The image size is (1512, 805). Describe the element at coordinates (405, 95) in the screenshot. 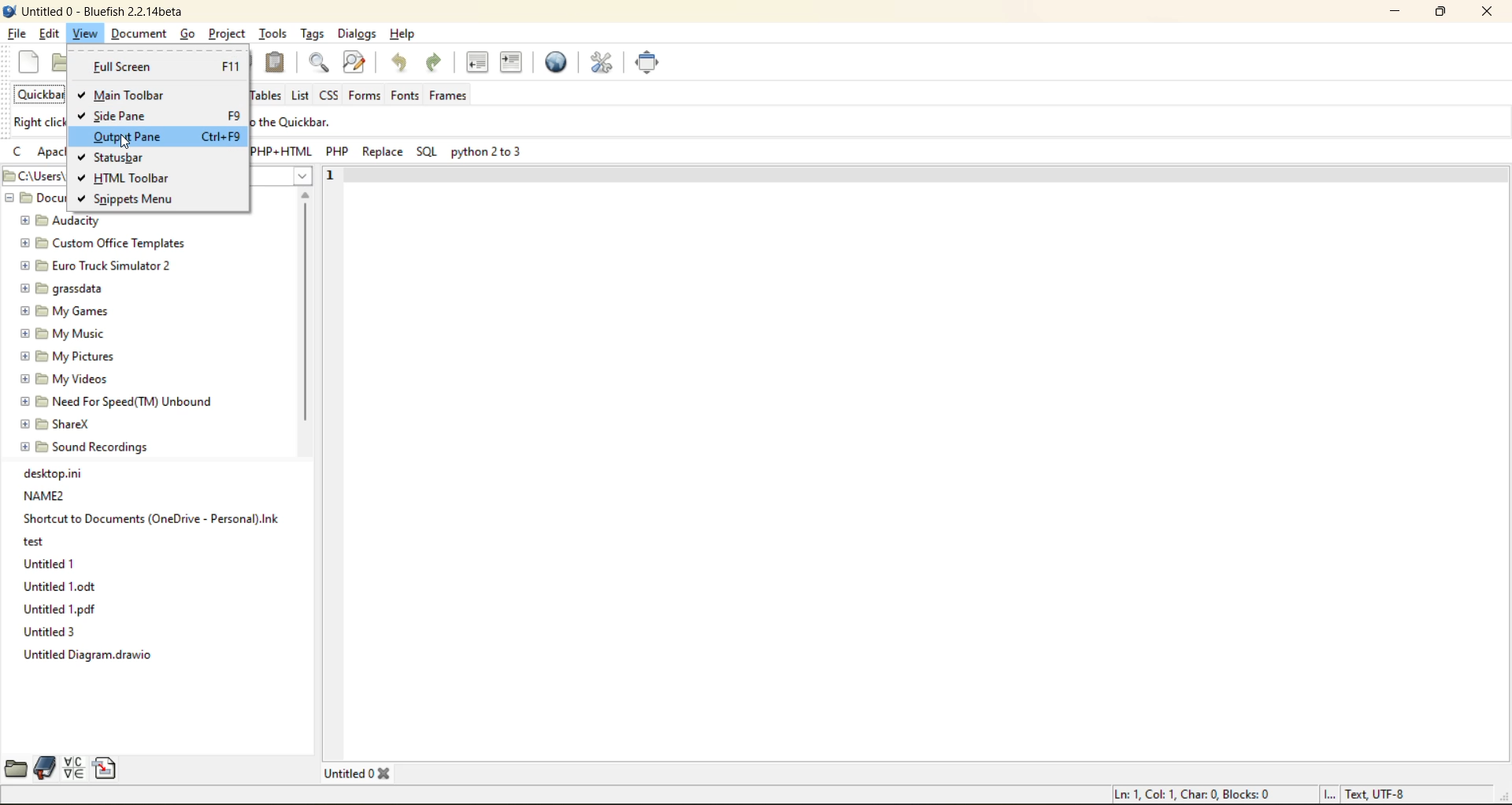

I see `fonts` at that location.